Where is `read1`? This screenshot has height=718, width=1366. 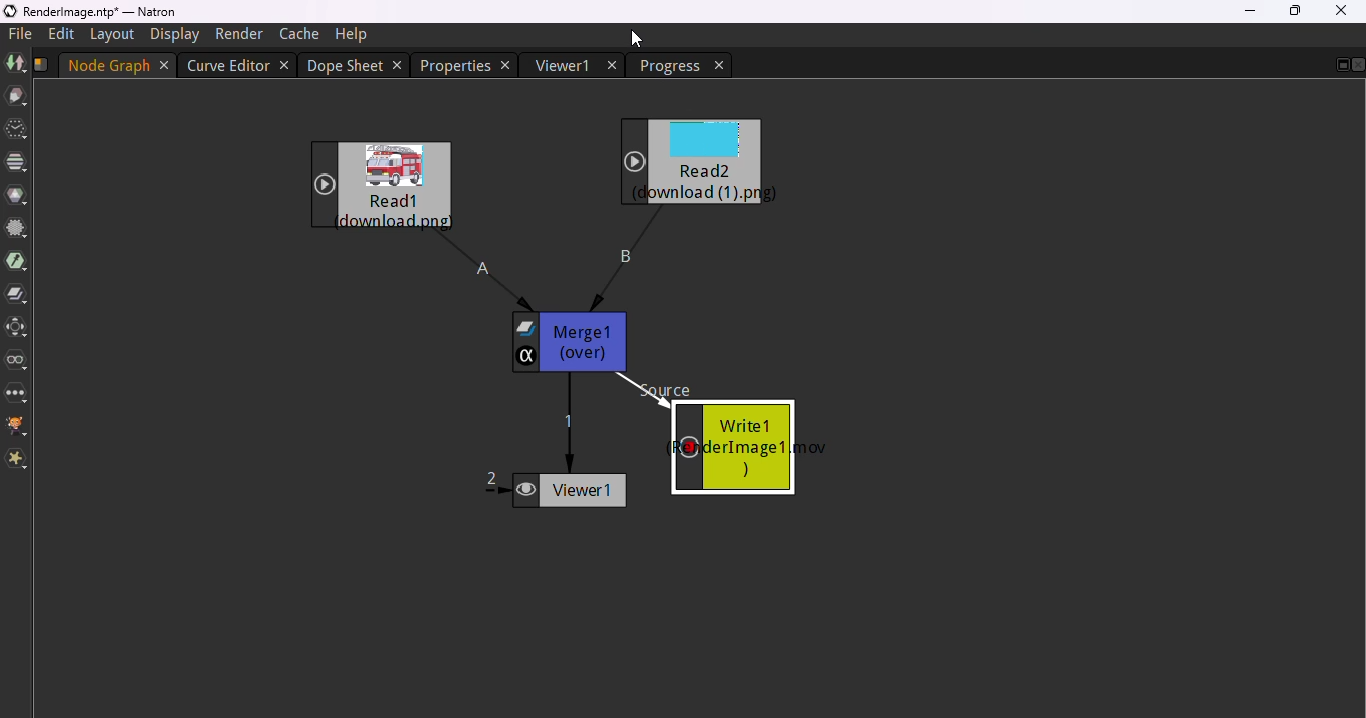 read1 is located at coordinates (381, 184).